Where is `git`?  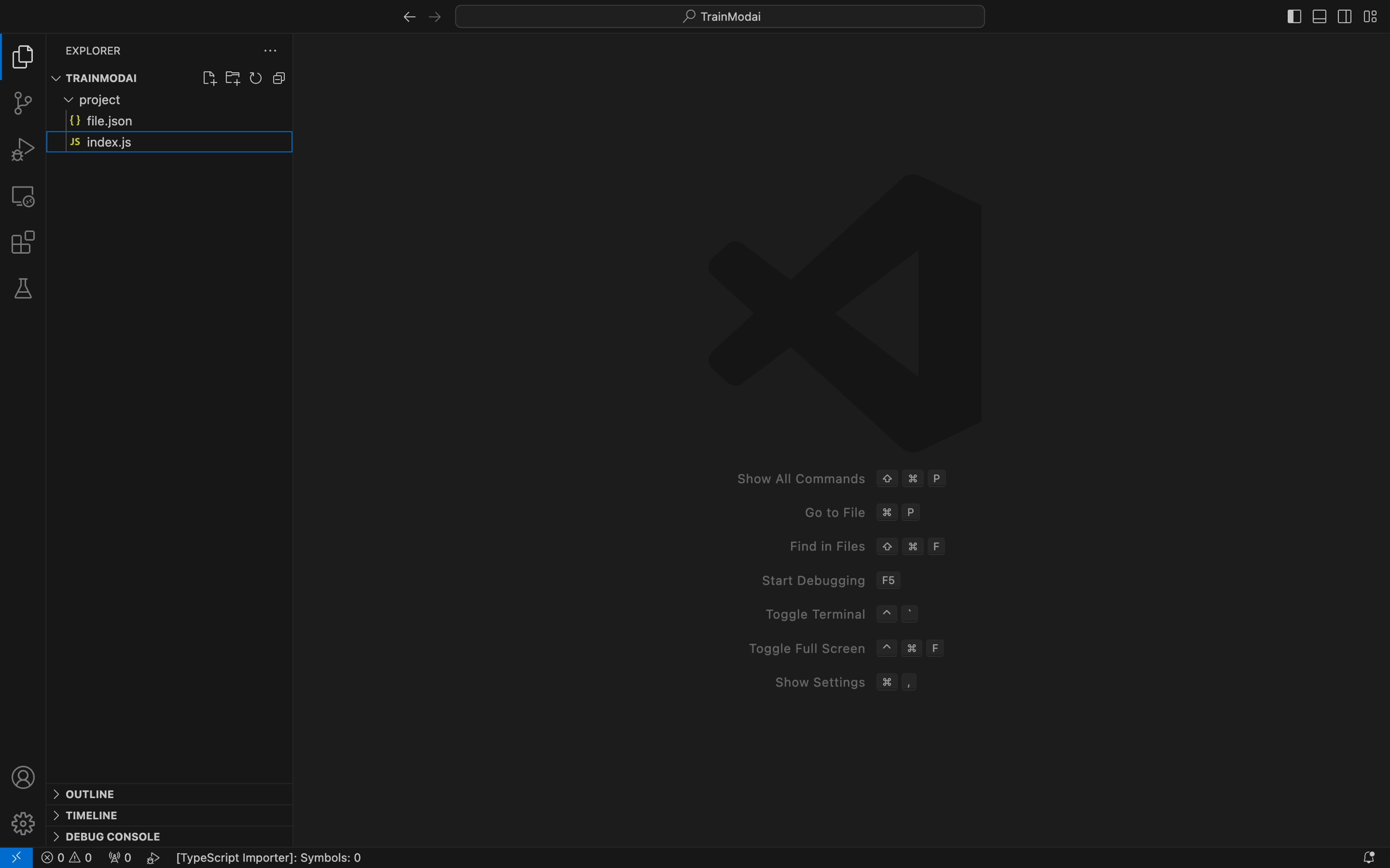 git is located at coordinates (25, 102).